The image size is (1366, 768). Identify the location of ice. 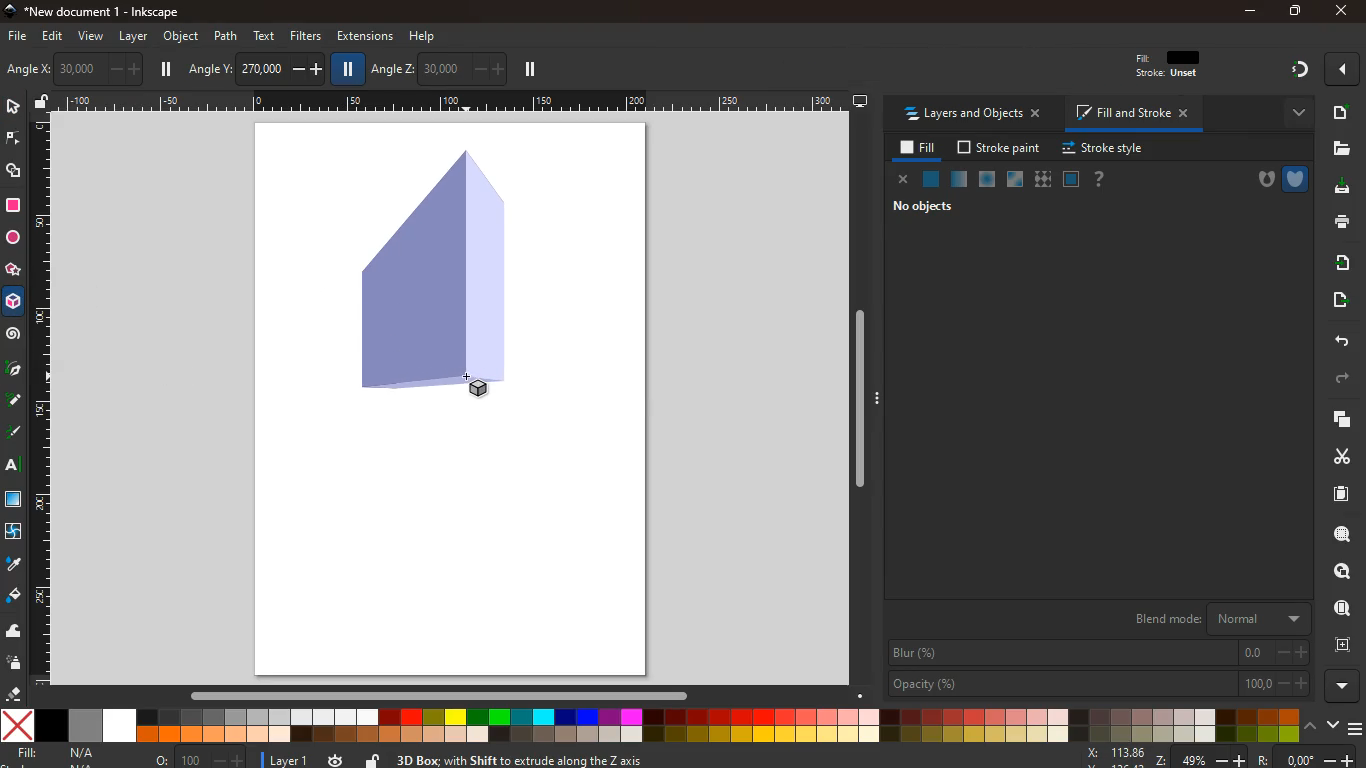
(984, 179).